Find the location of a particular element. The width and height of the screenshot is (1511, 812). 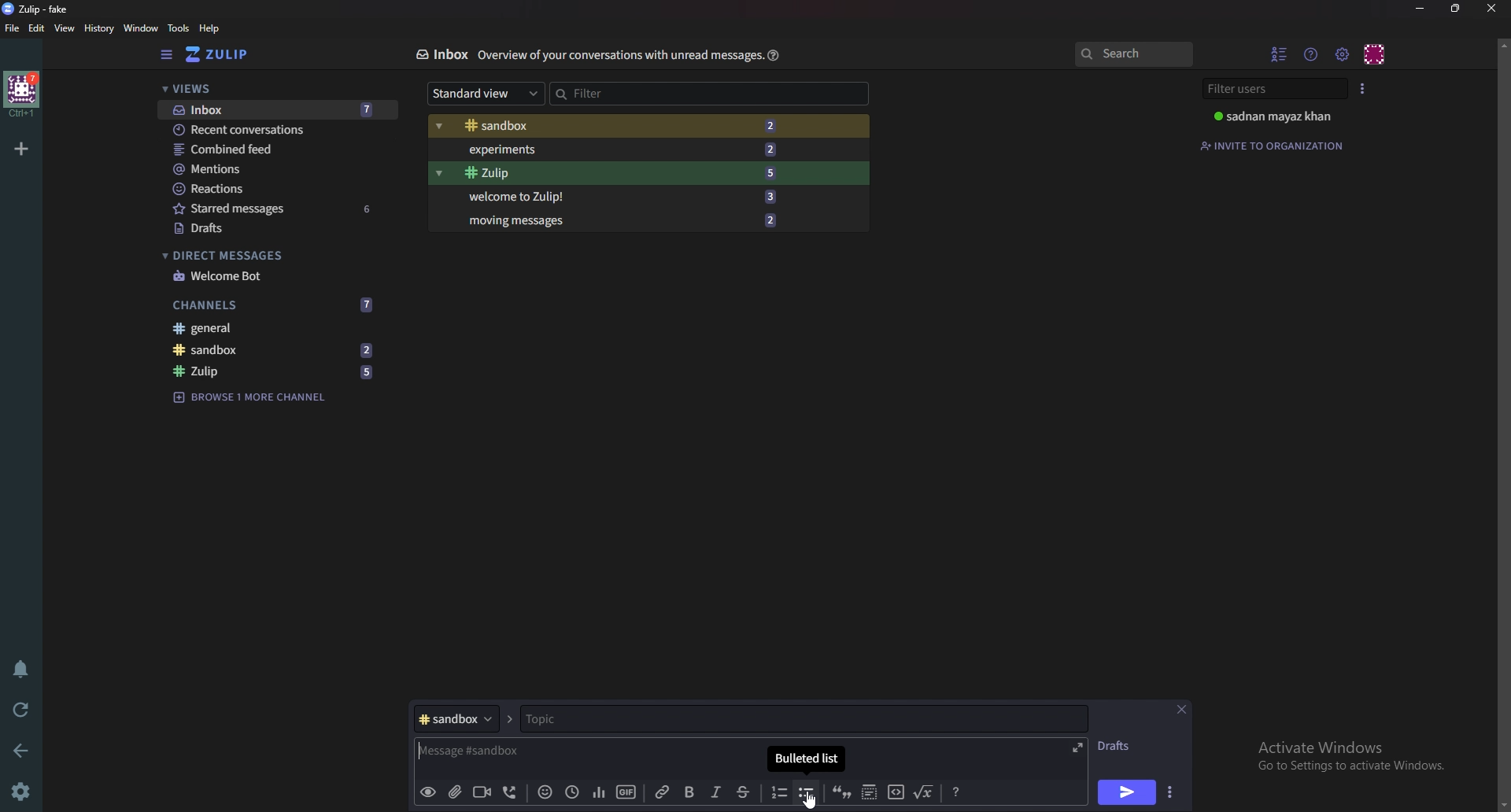

Drafts is located at coordinates (275, 230).